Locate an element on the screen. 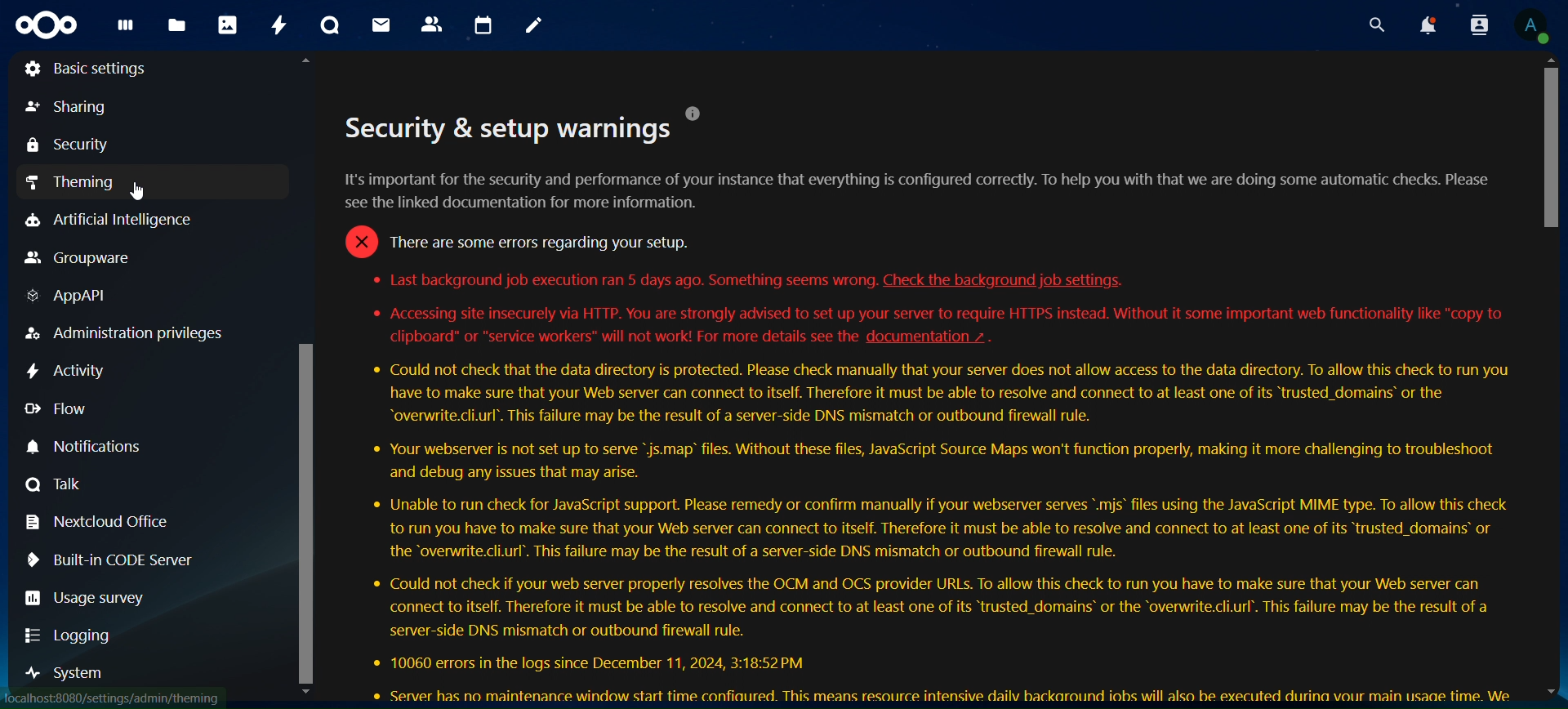  sharing is located at coordinates (70, 107).